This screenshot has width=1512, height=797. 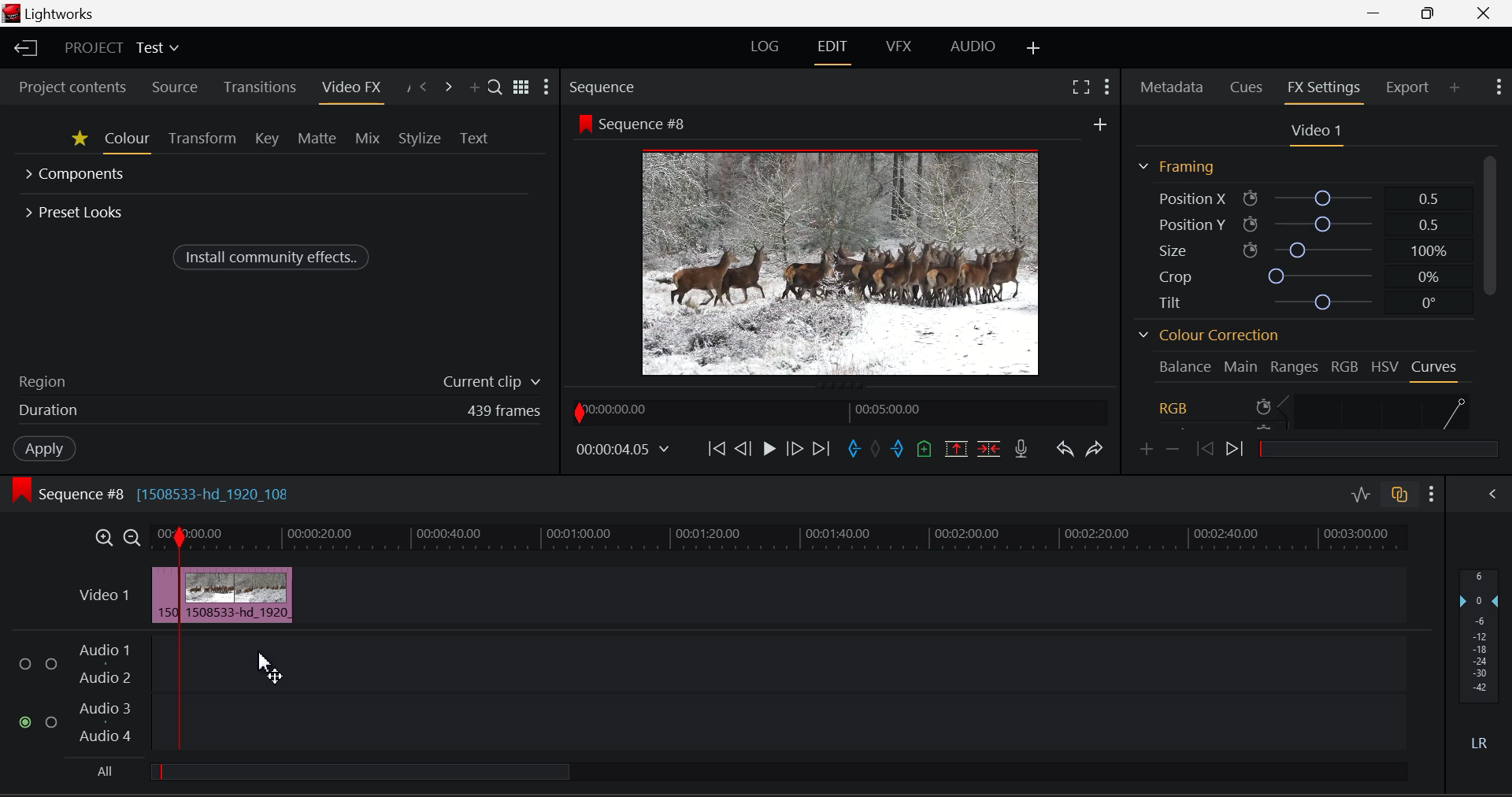 What do you see at coordinates (222, 595) in the screenshot?
I see `Clip Cut` at bounding box center [222, 595].